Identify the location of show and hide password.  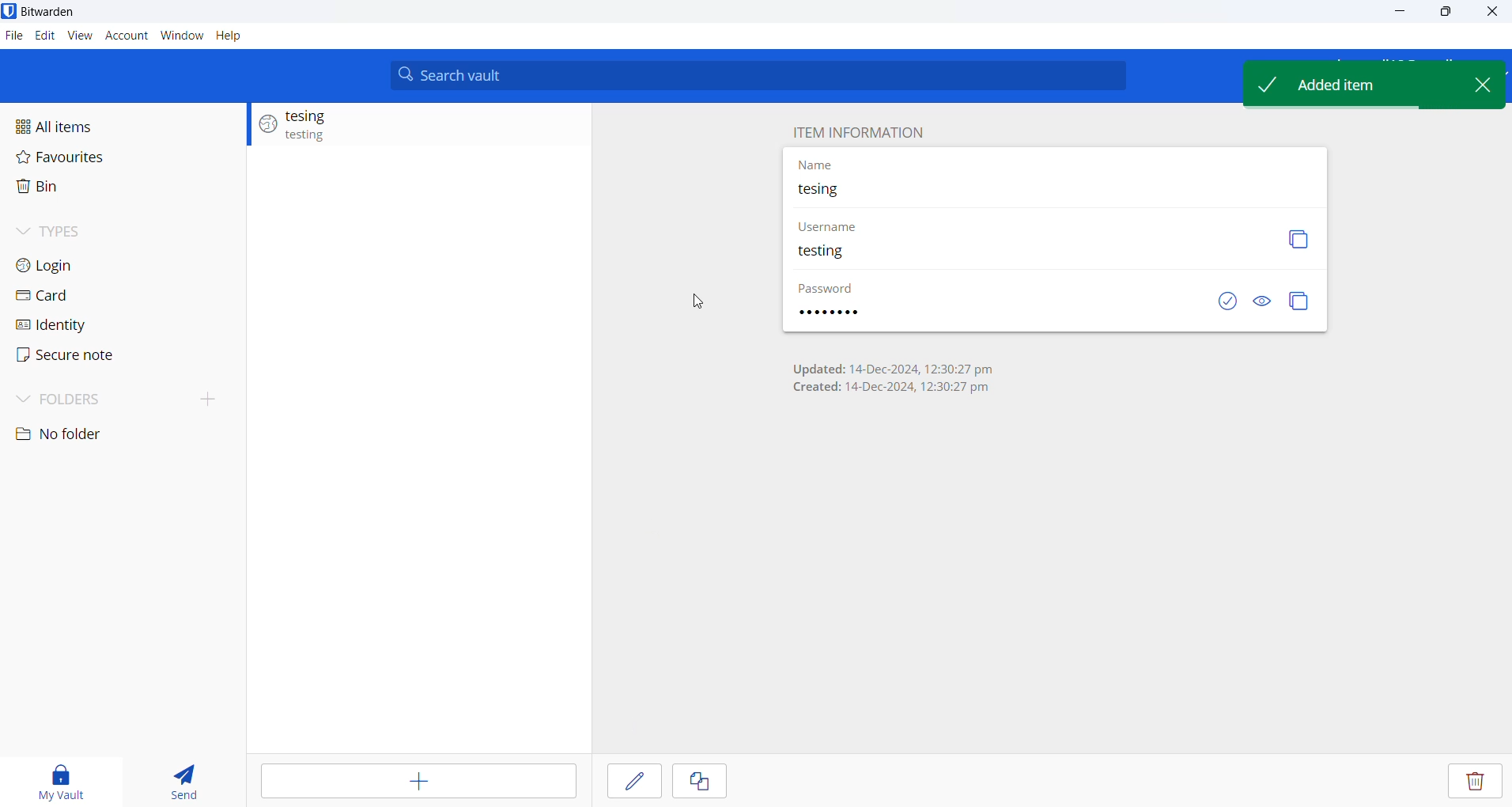
(1265, 302).